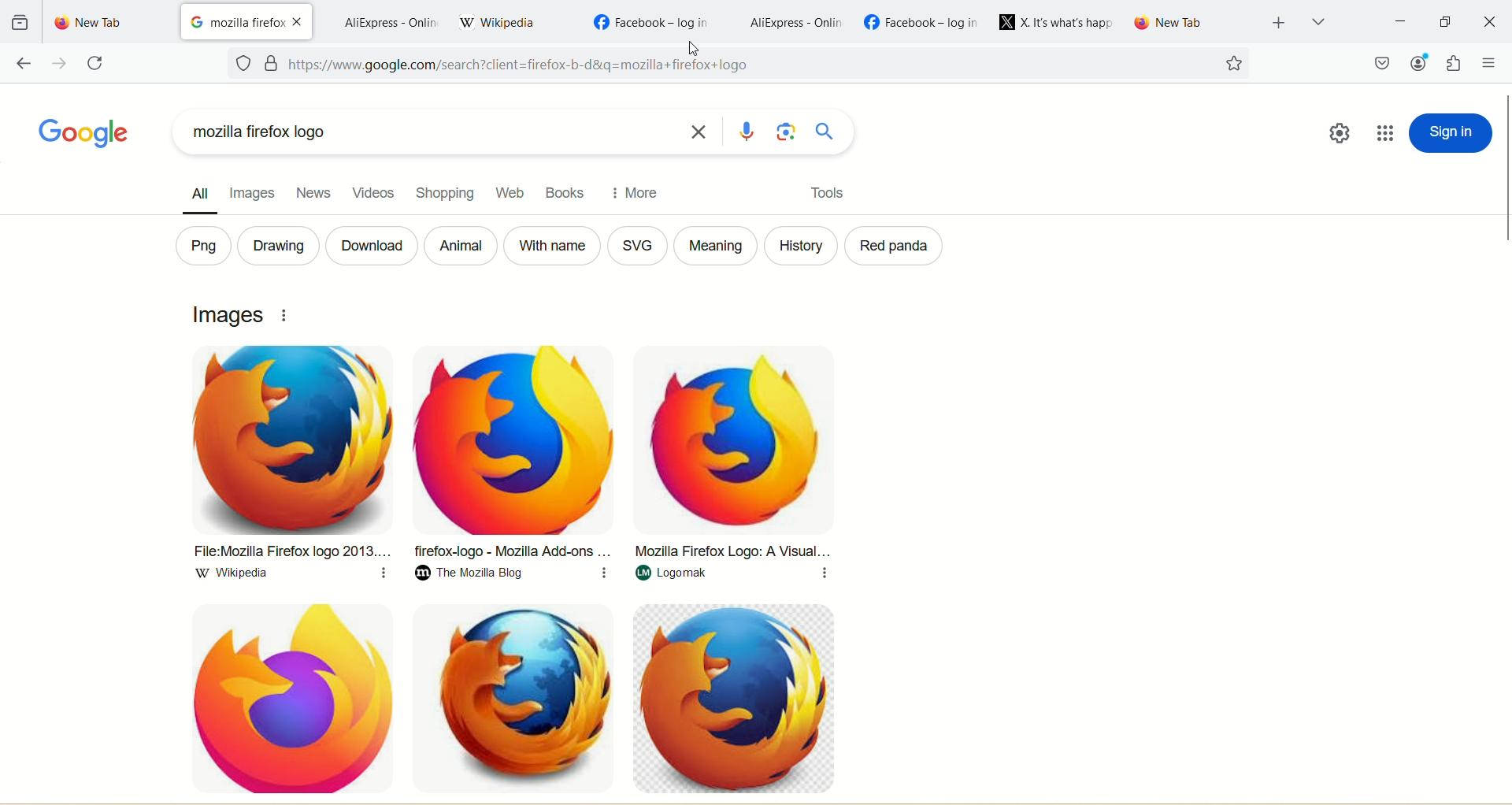  What do you see at coordinates (734, 551) in the screenshot?
I see `Mozila firefox logo: A Visual` at bounding box center [734, 551].